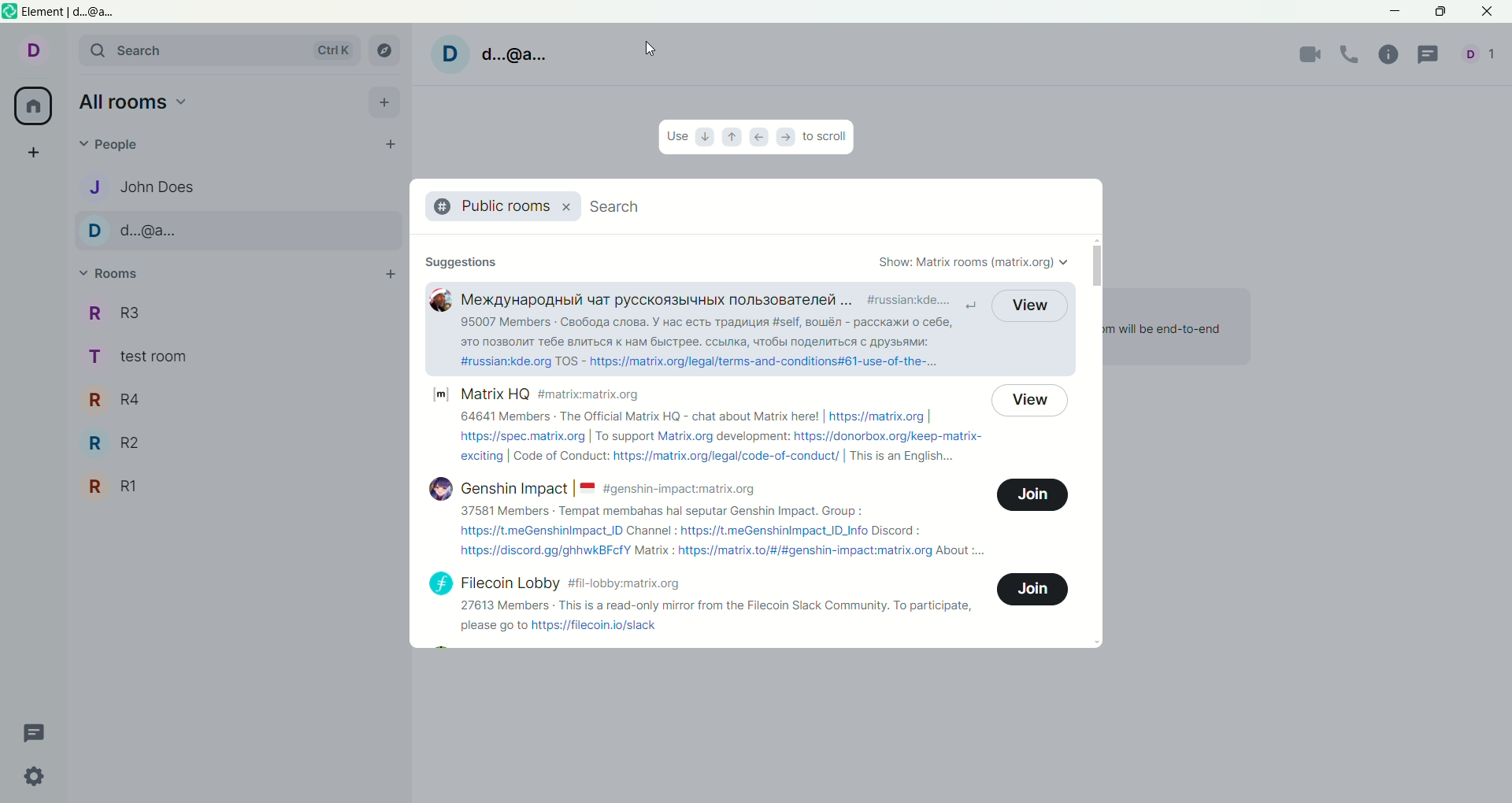  I want to click on to scroll, so click(828, 138).